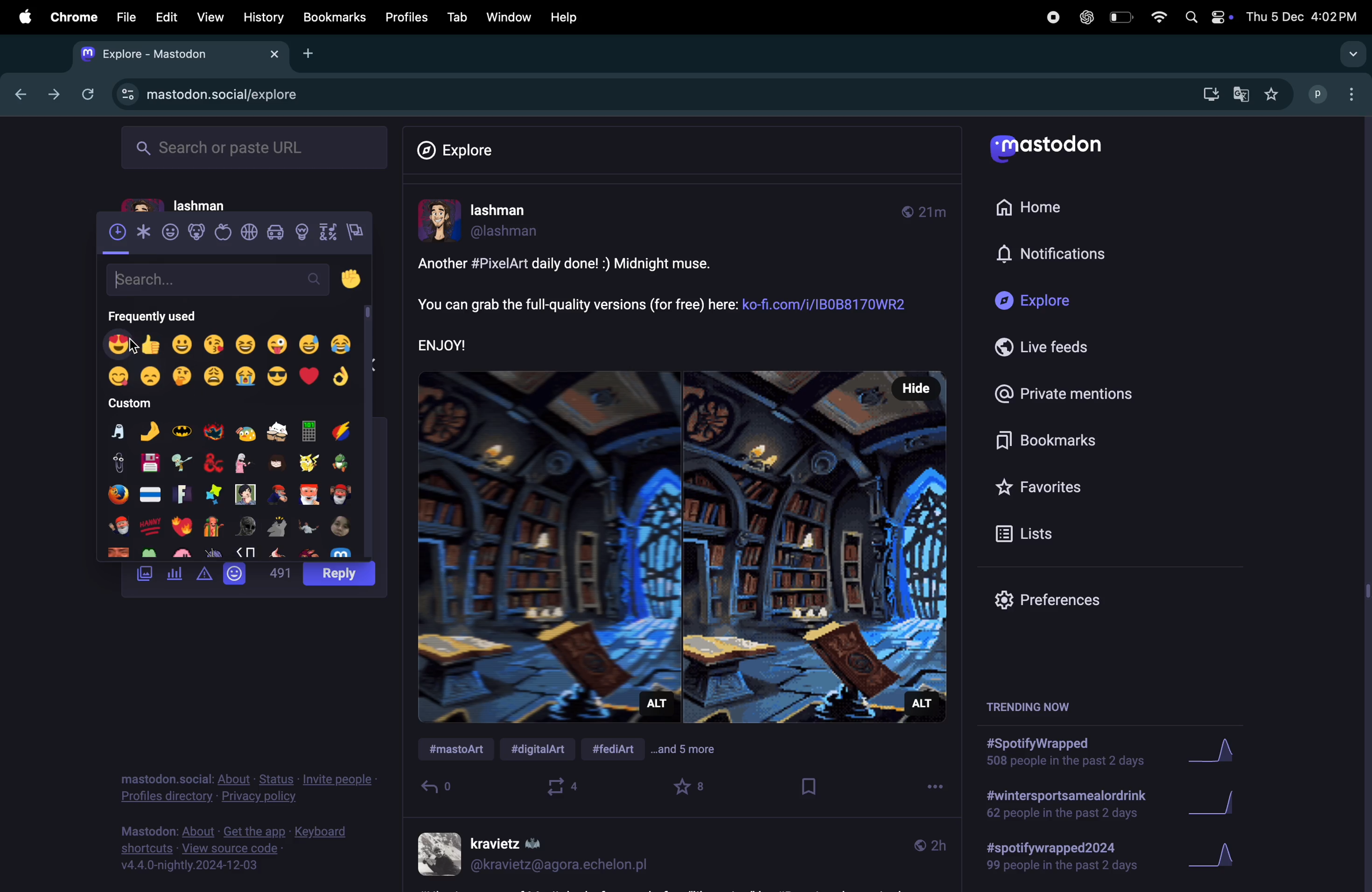 The height and width of the screenshot is (892, 1372). Describe the element at coordinates (280, 576) in the screenshot. I see `500 words` at that location.